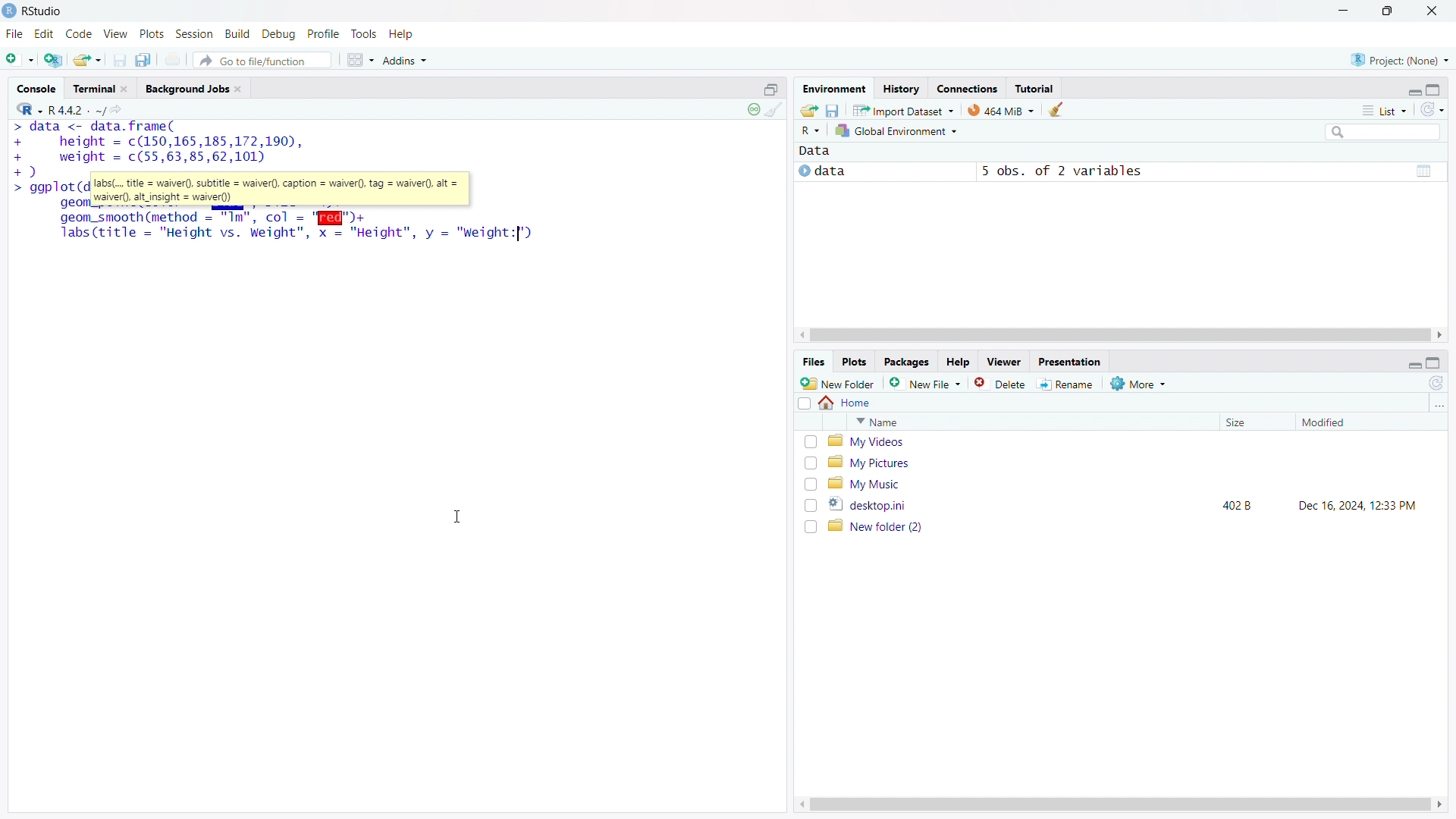  Describe the element at coordinates (771, 88) in the screenshot. I see `open new console` at that location.